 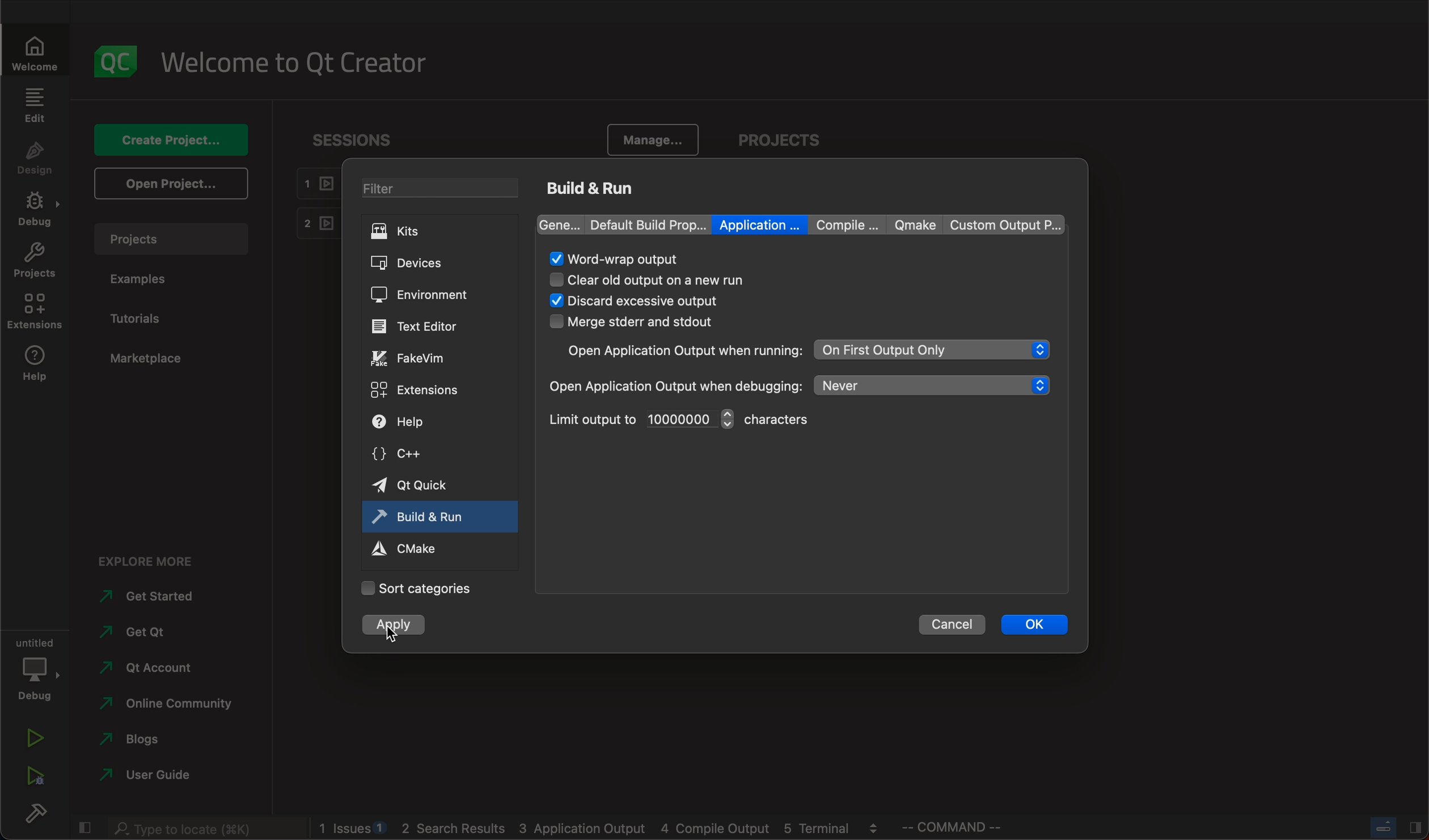 I want to click on qmake, so click(x=911, y=224).